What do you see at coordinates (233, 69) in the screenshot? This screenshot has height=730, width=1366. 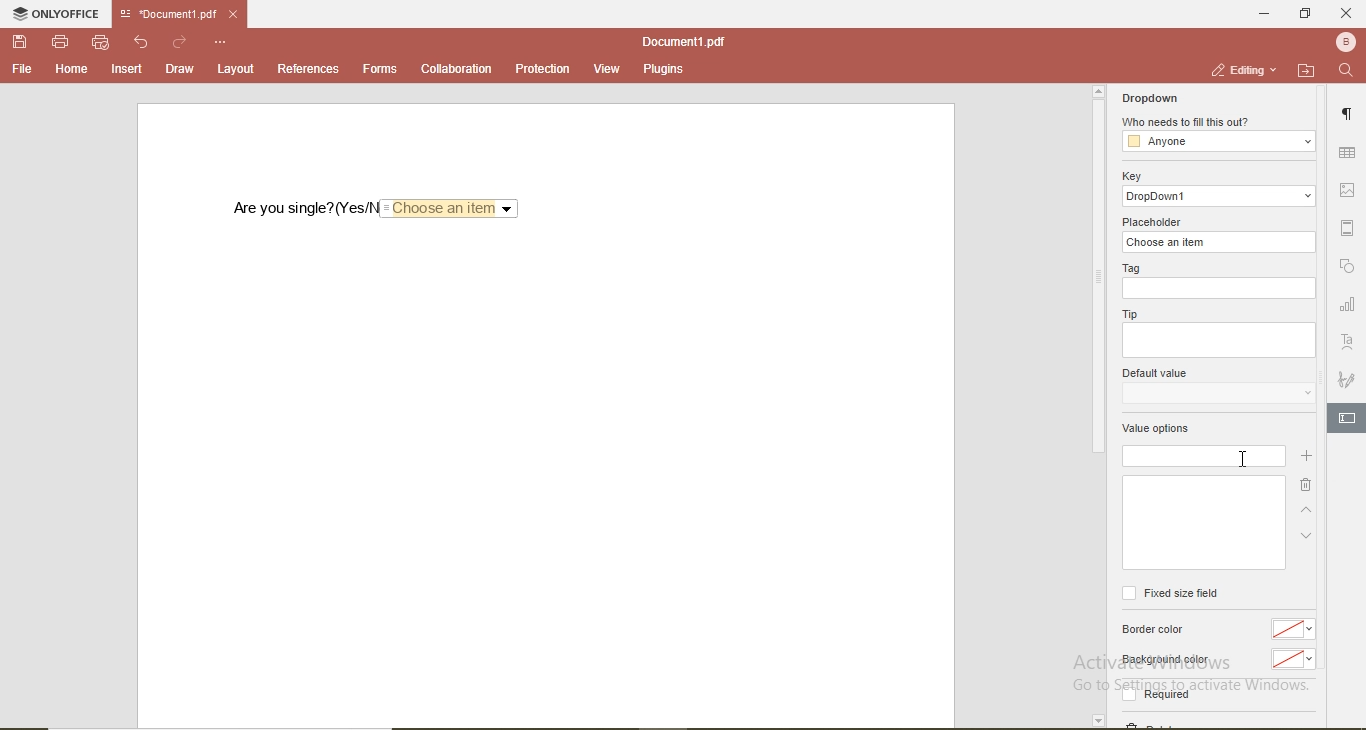 I see `layout` at bounding box center [233, 69].